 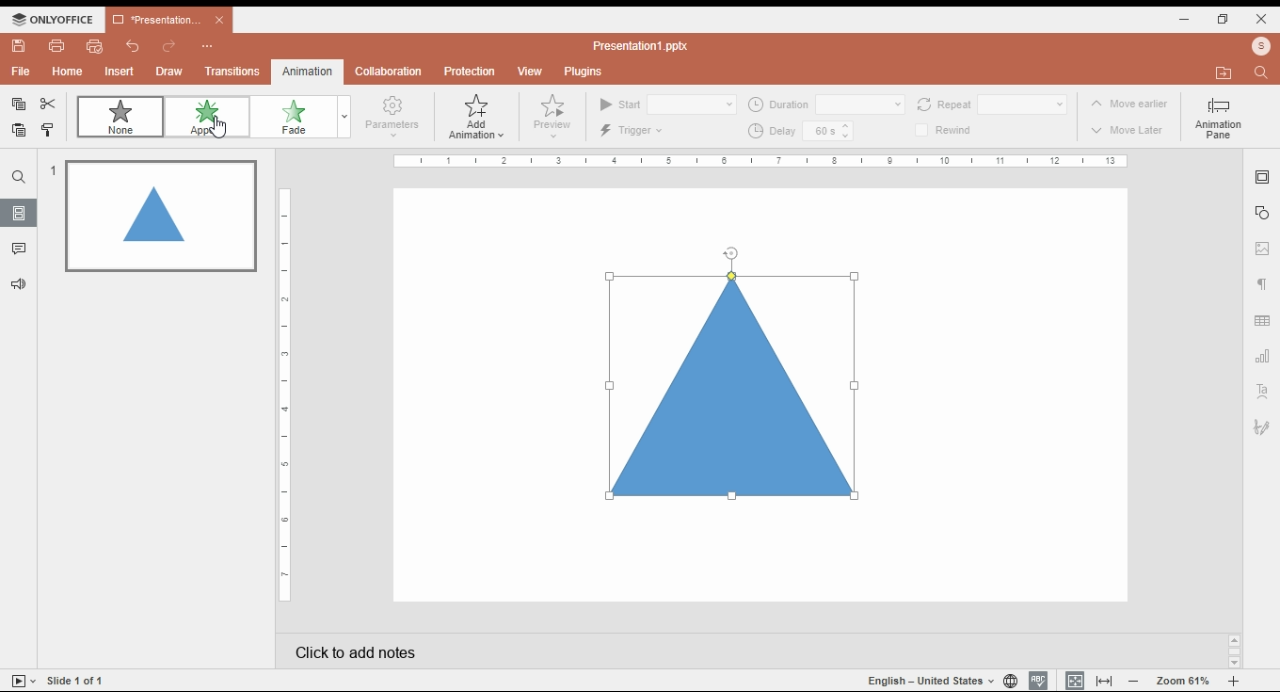 What do you see at coordinates (119, 115) in the screenshot?
I see `none` at bounding box center [119, 115].